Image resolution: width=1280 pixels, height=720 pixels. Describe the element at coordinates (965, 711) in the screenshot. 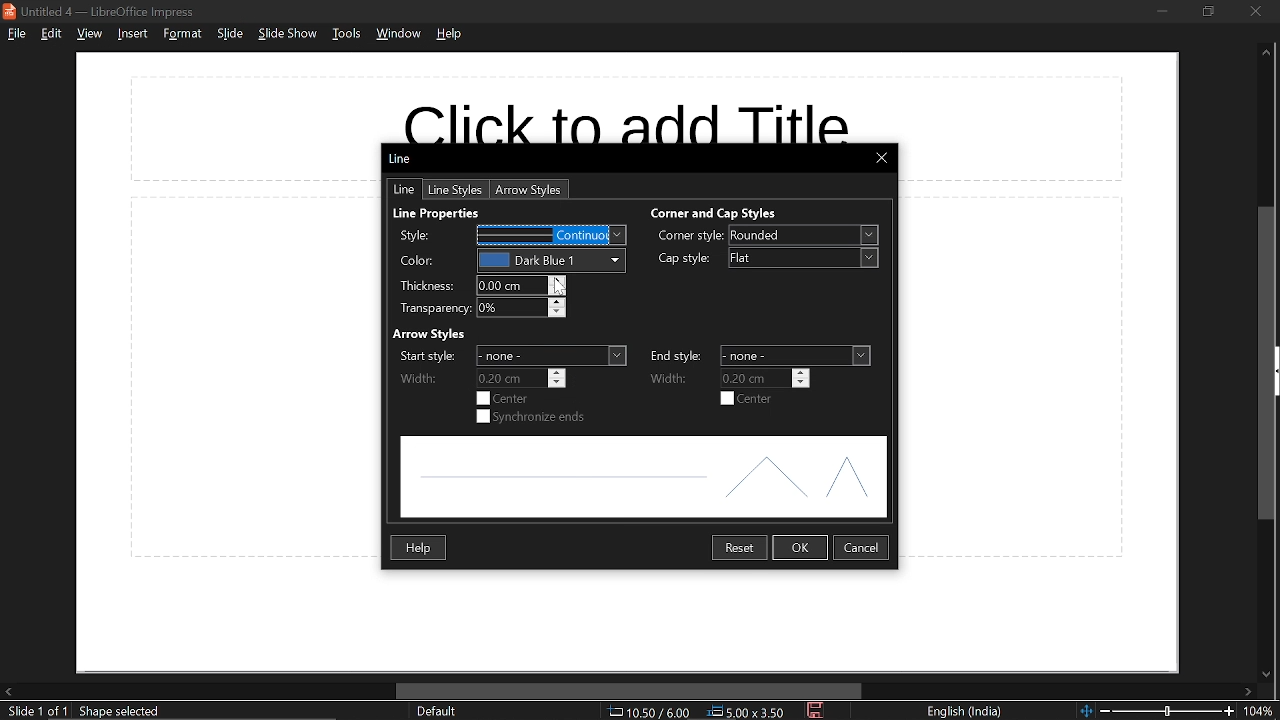

I see `language` at that location.